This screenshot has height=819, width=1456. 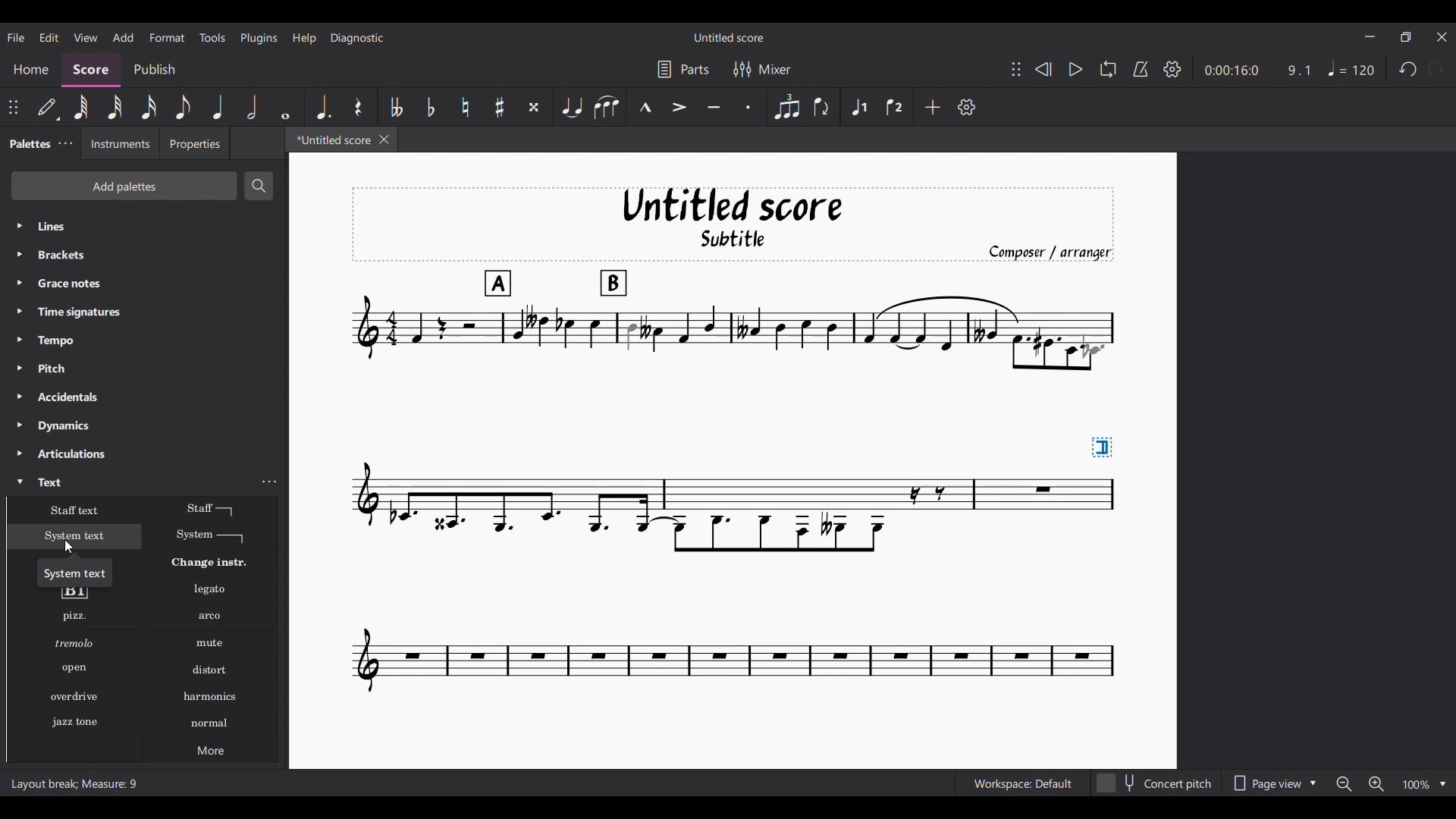 I want to click on Staccato, so click(x=748, y=107).